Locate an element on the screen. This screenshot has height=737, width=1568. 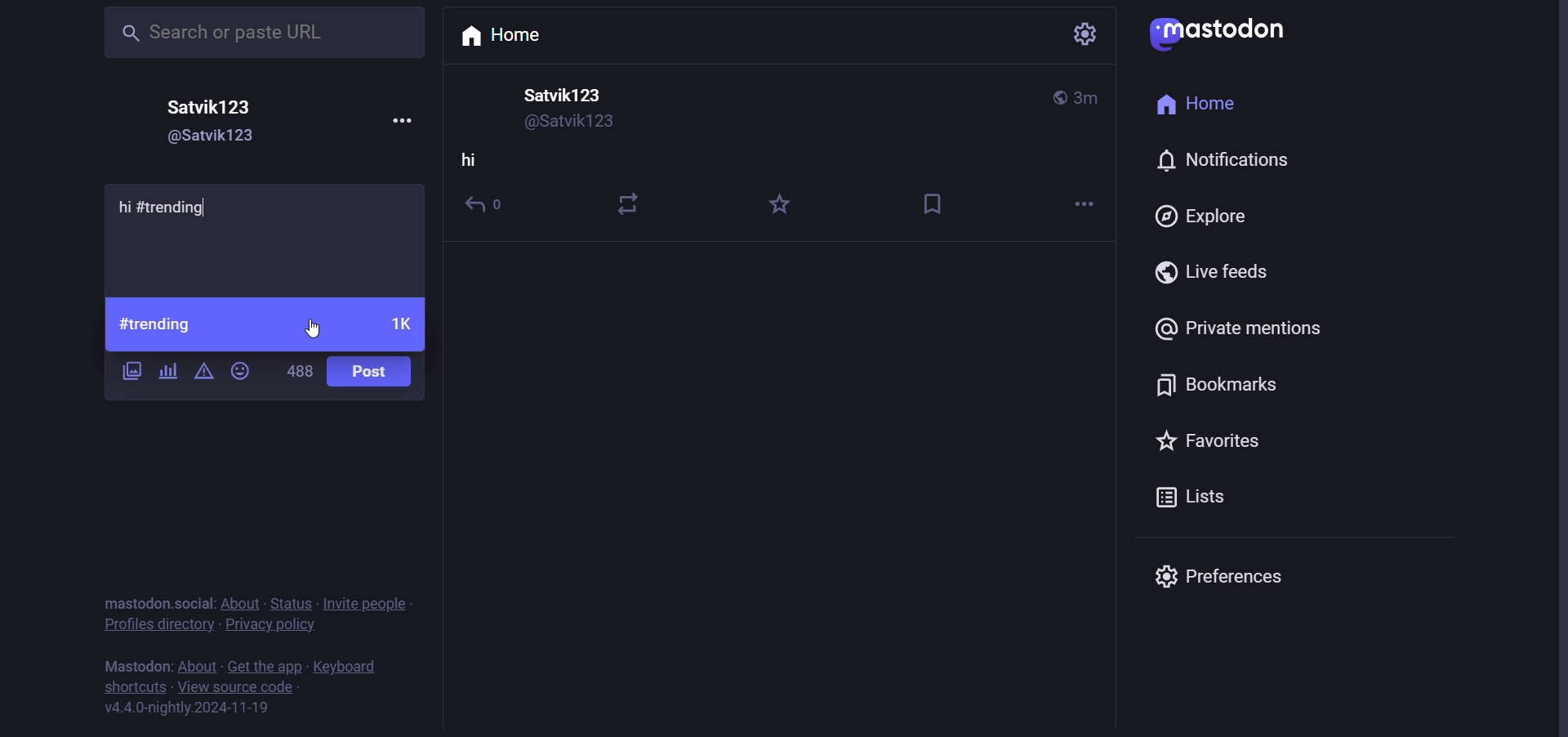
more is located at coordinates (401, 117).